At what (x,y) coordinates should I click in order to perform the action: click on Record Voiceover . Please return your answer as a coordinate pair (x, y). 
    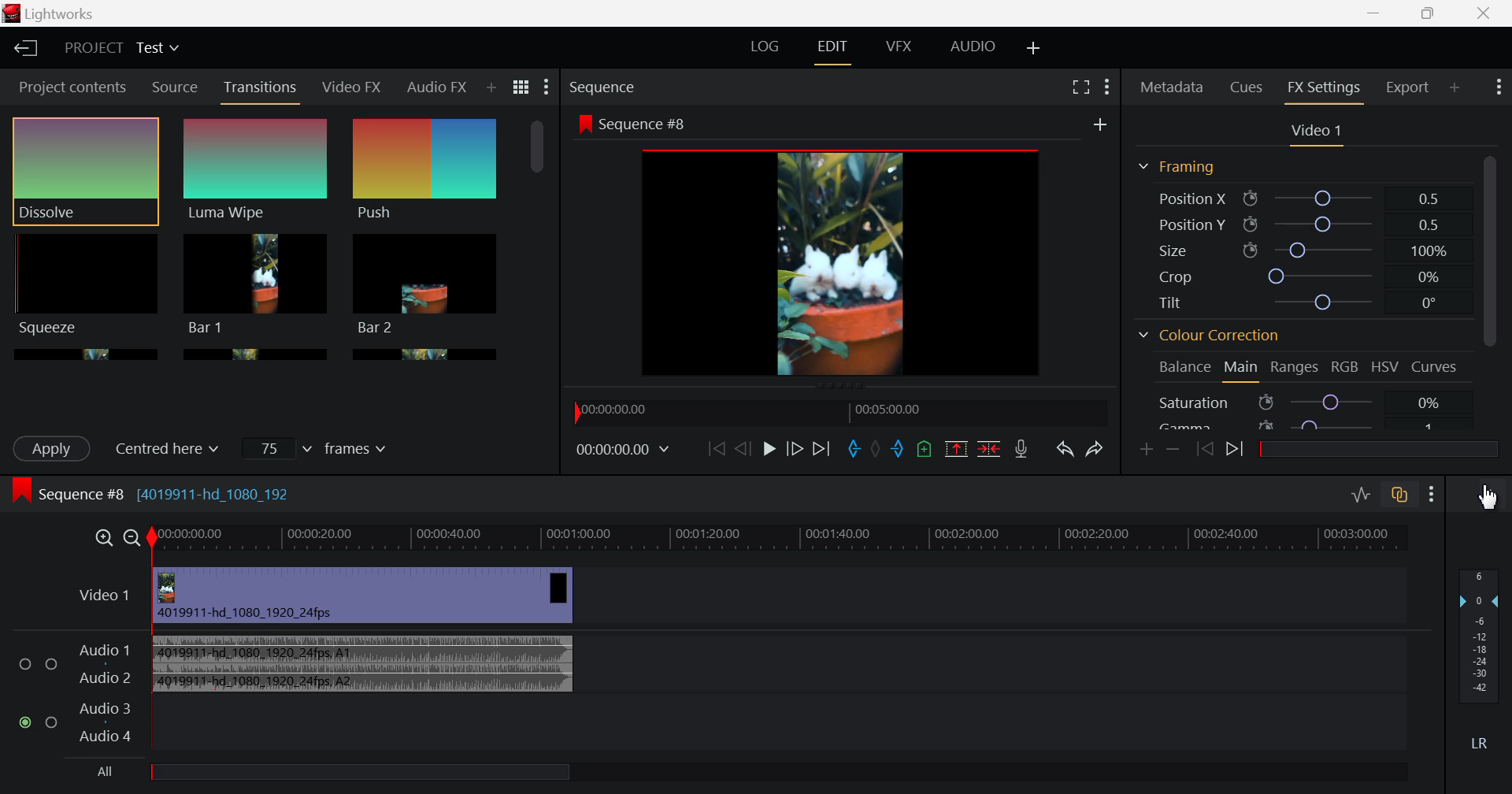
    Looking at the image, I should click on (1021, 448).